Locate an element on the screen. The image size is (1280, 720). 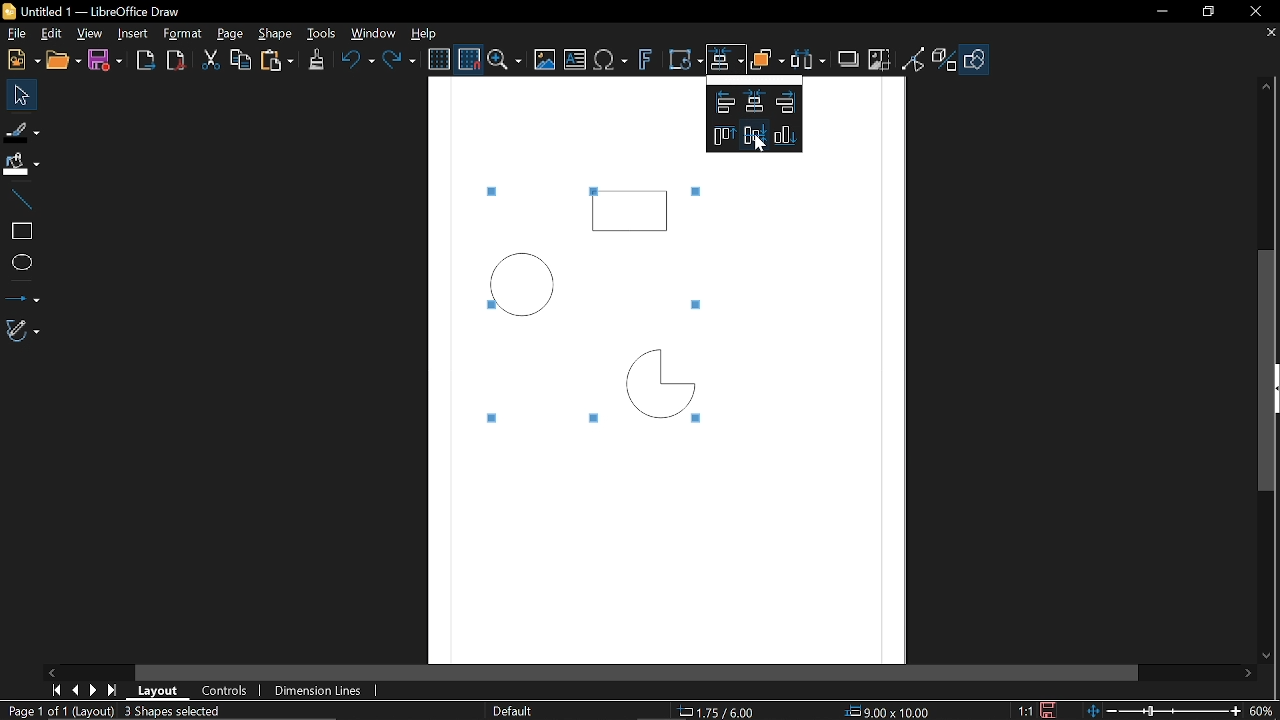
Select at least three objects to distribute is located at coordinates (810, 61).